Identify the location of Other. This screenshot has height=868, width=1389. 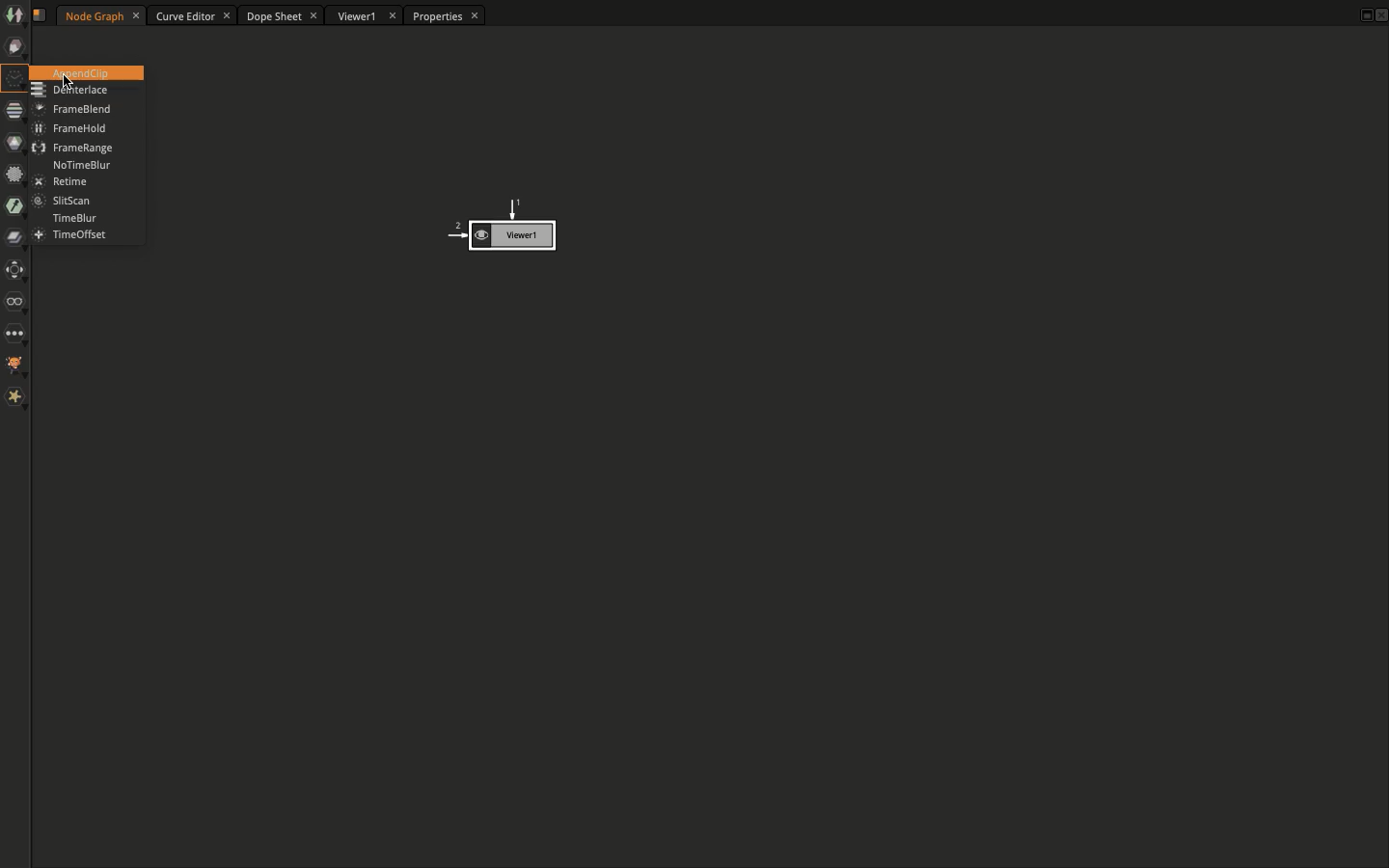
(15, 333).